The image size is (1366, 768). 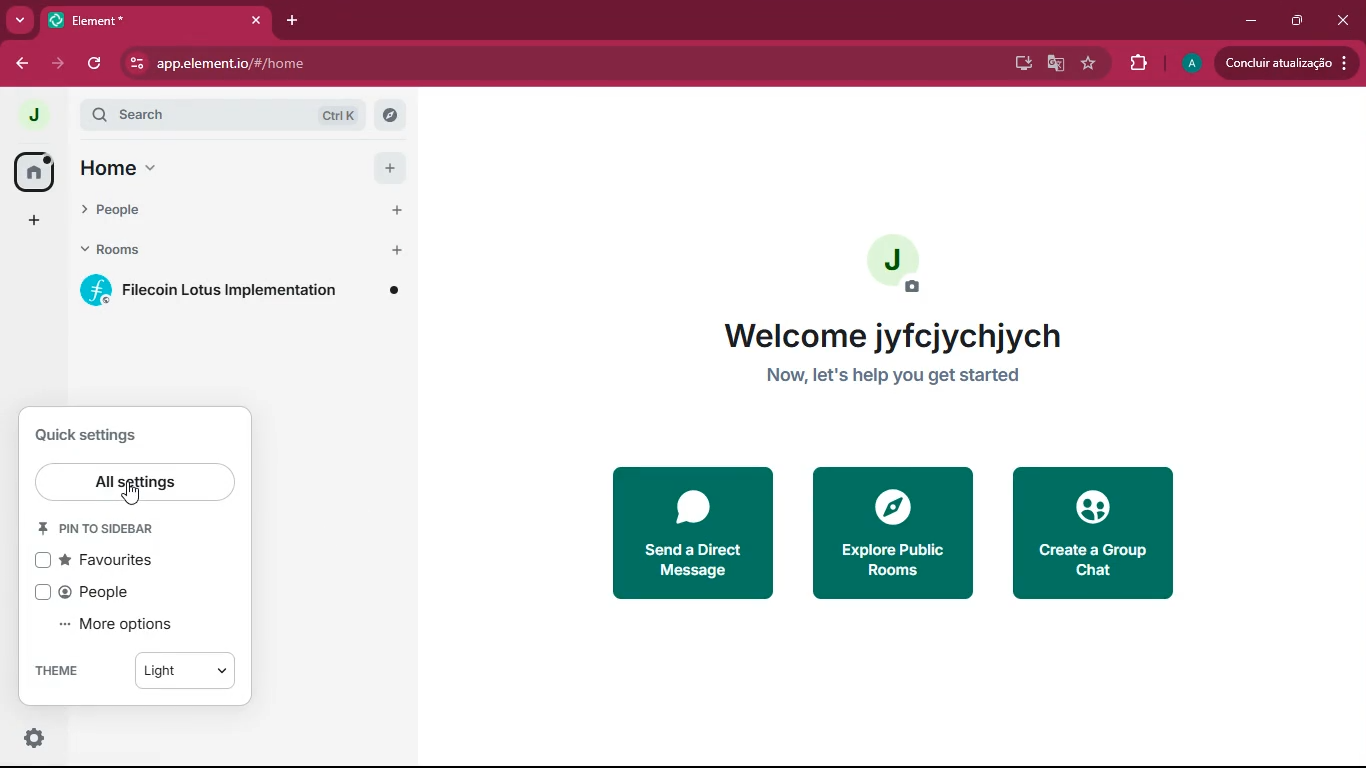 I want to click on rooms, so click(x=186, y=249).